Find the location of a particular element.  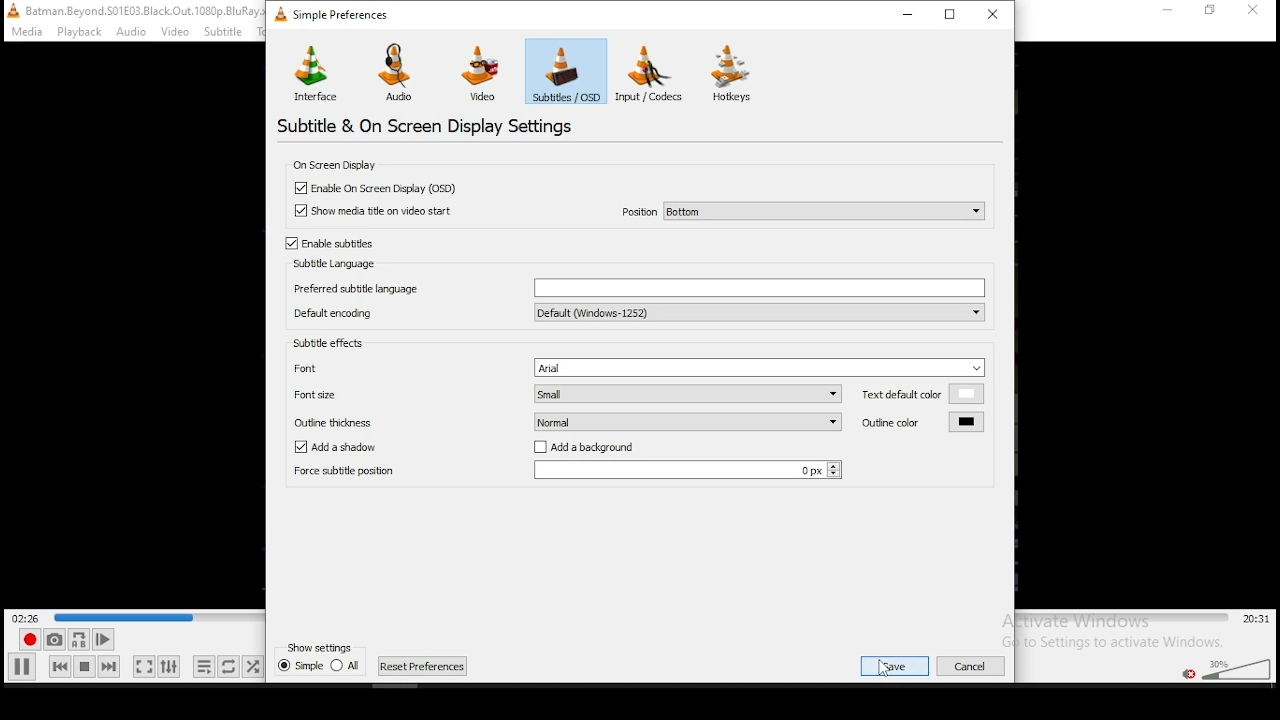

previous chapter is located at coordinates (320, 670).